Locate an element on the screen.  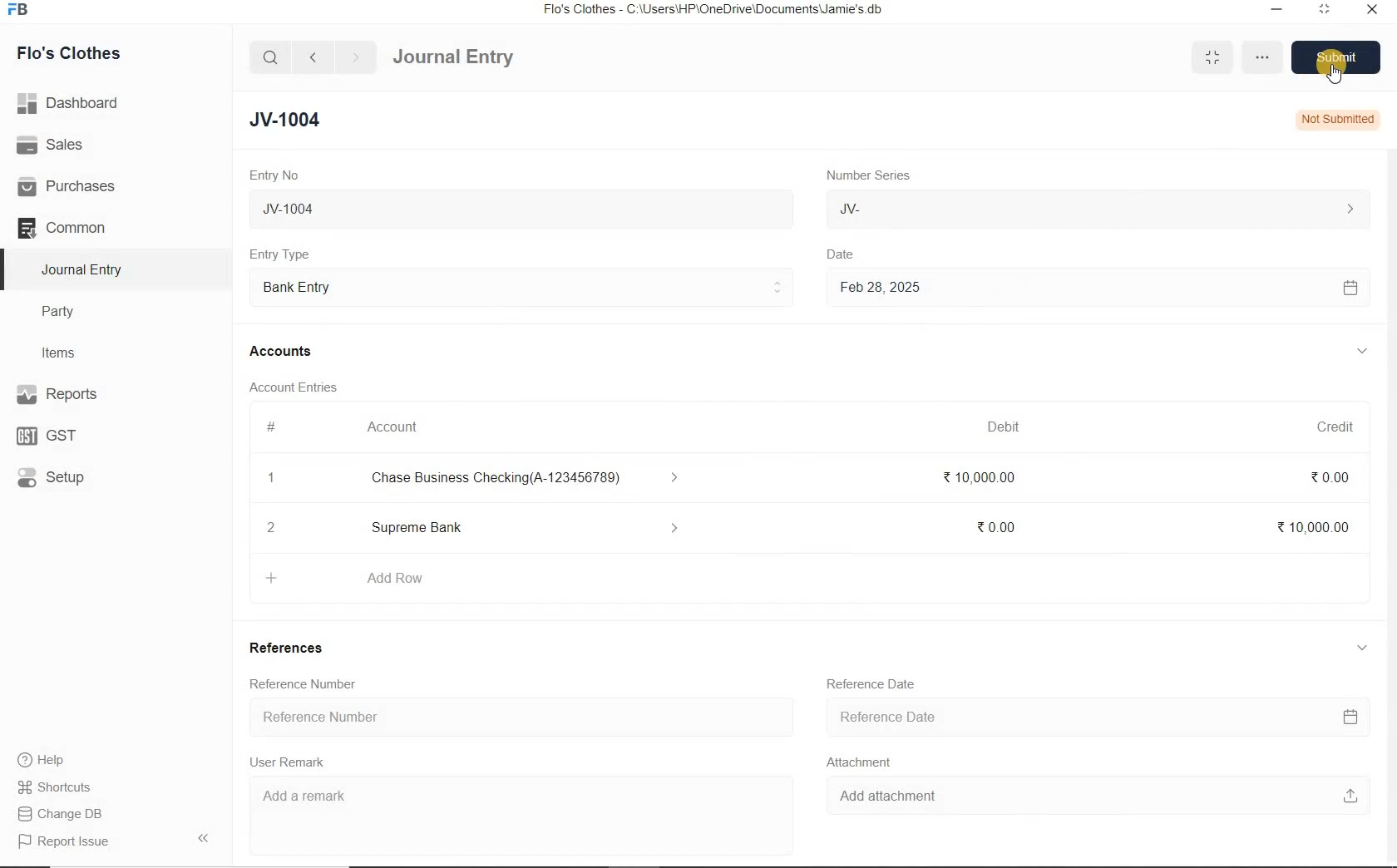
Dashboard is located at coordinates (74, 101).